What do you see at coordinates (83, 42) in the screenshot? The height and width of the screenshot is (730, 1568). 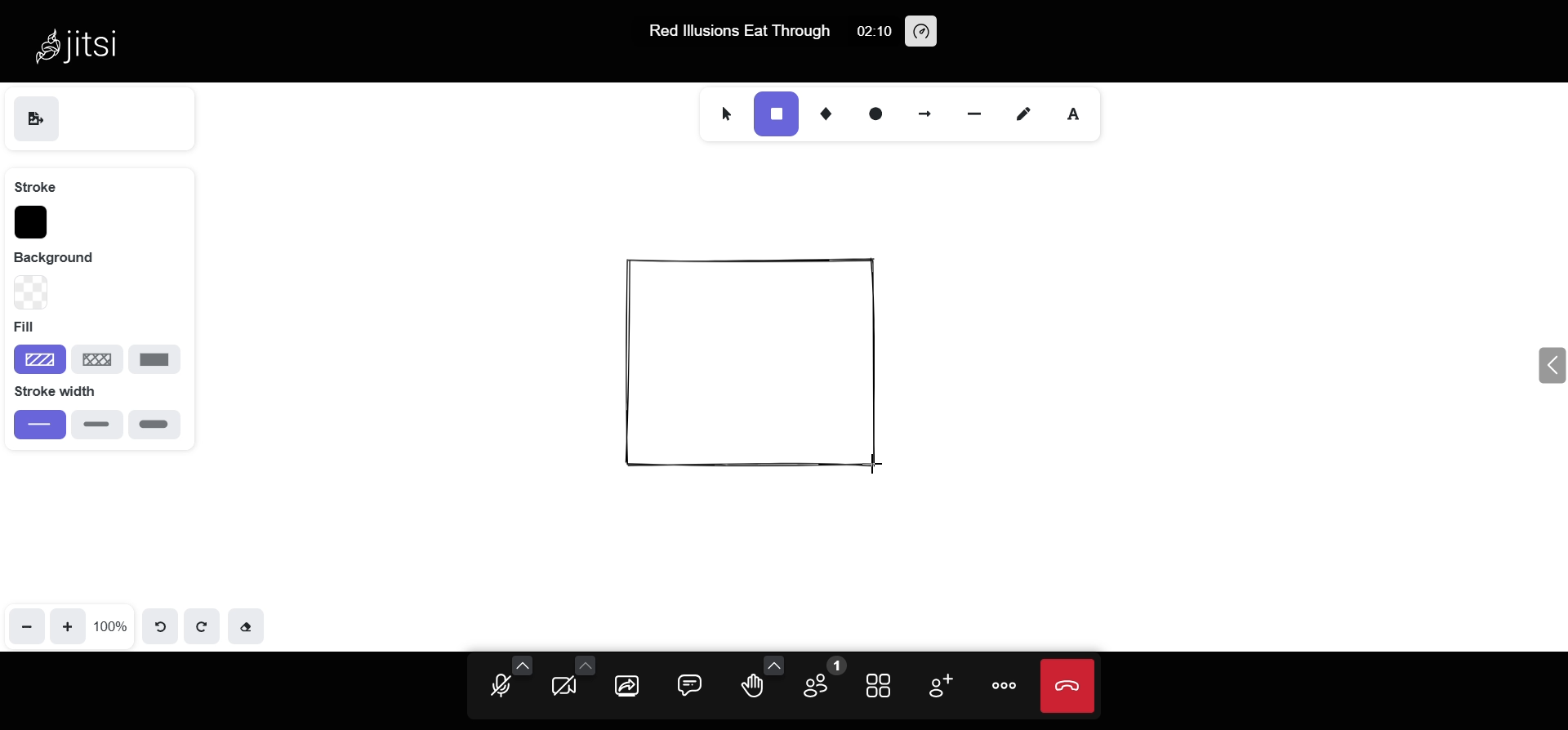 I see `Jitsi` at bounding box center [83, 42].